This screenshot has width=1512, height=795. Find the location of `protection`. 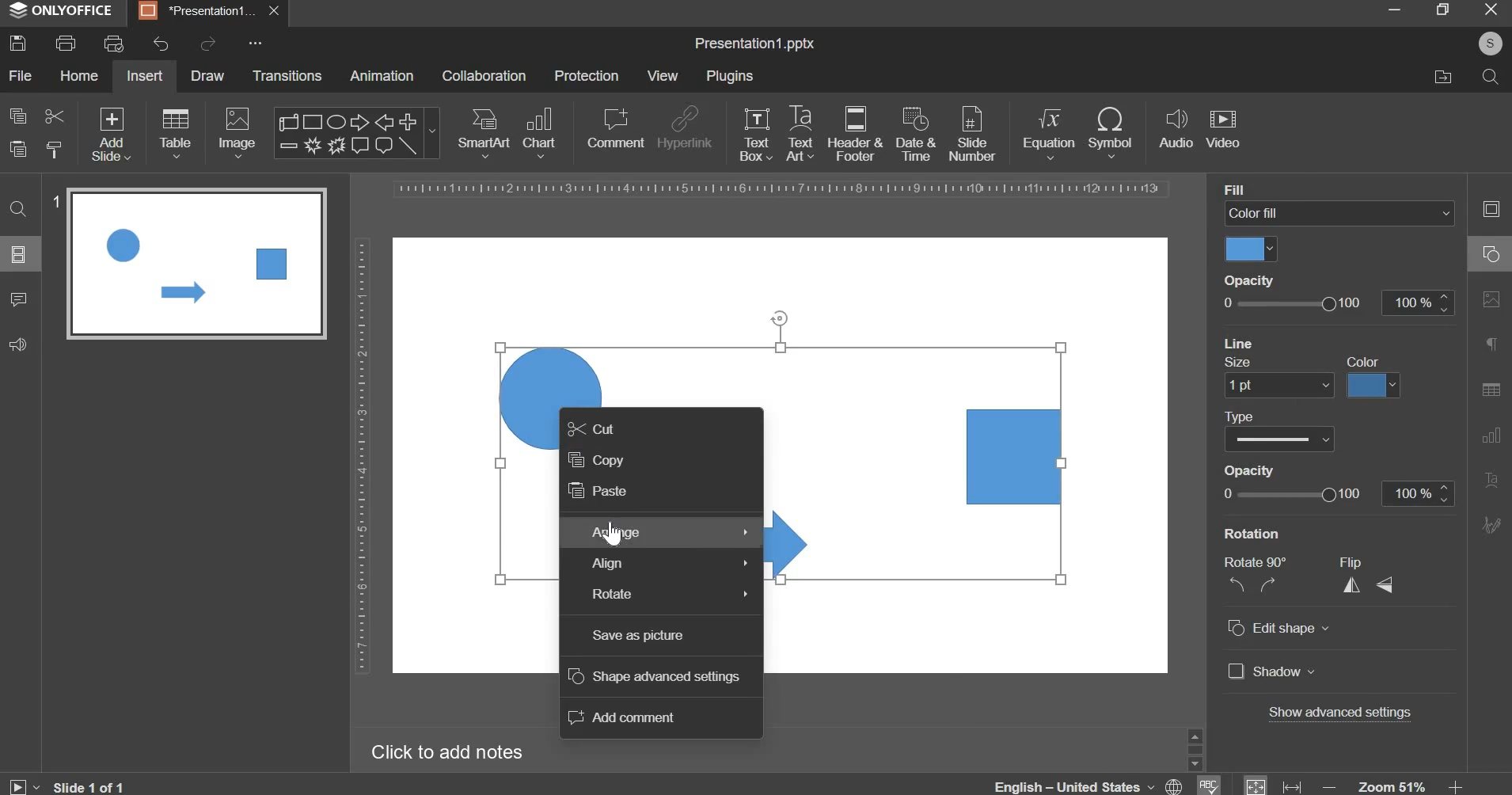

protection is located at coordinates (587, 75).